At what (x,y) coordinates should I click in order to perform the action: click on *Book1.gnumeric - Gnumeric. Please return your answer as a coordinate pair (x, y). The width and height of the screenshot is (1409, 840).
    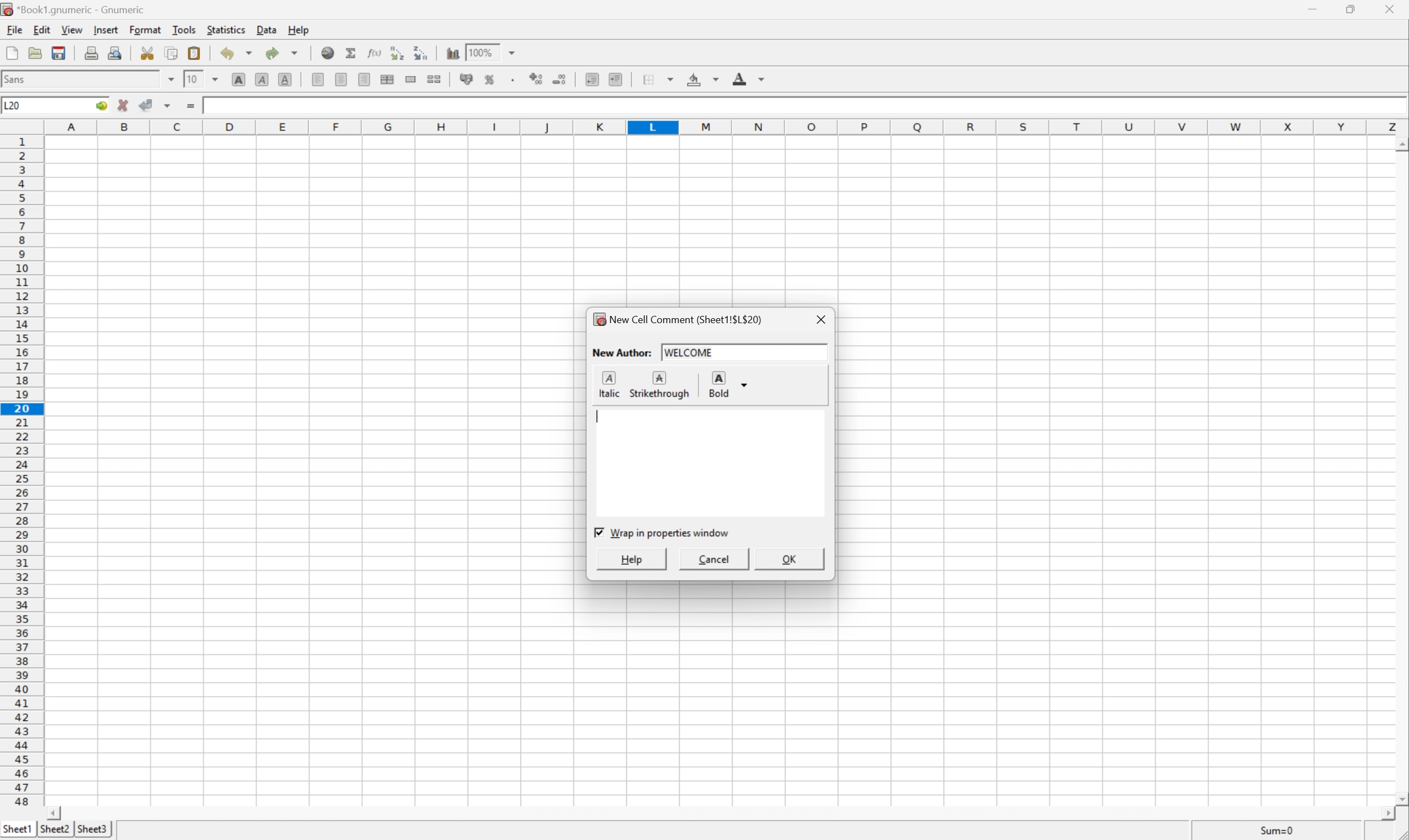
    Looking at the image, I should click on (75, 10).